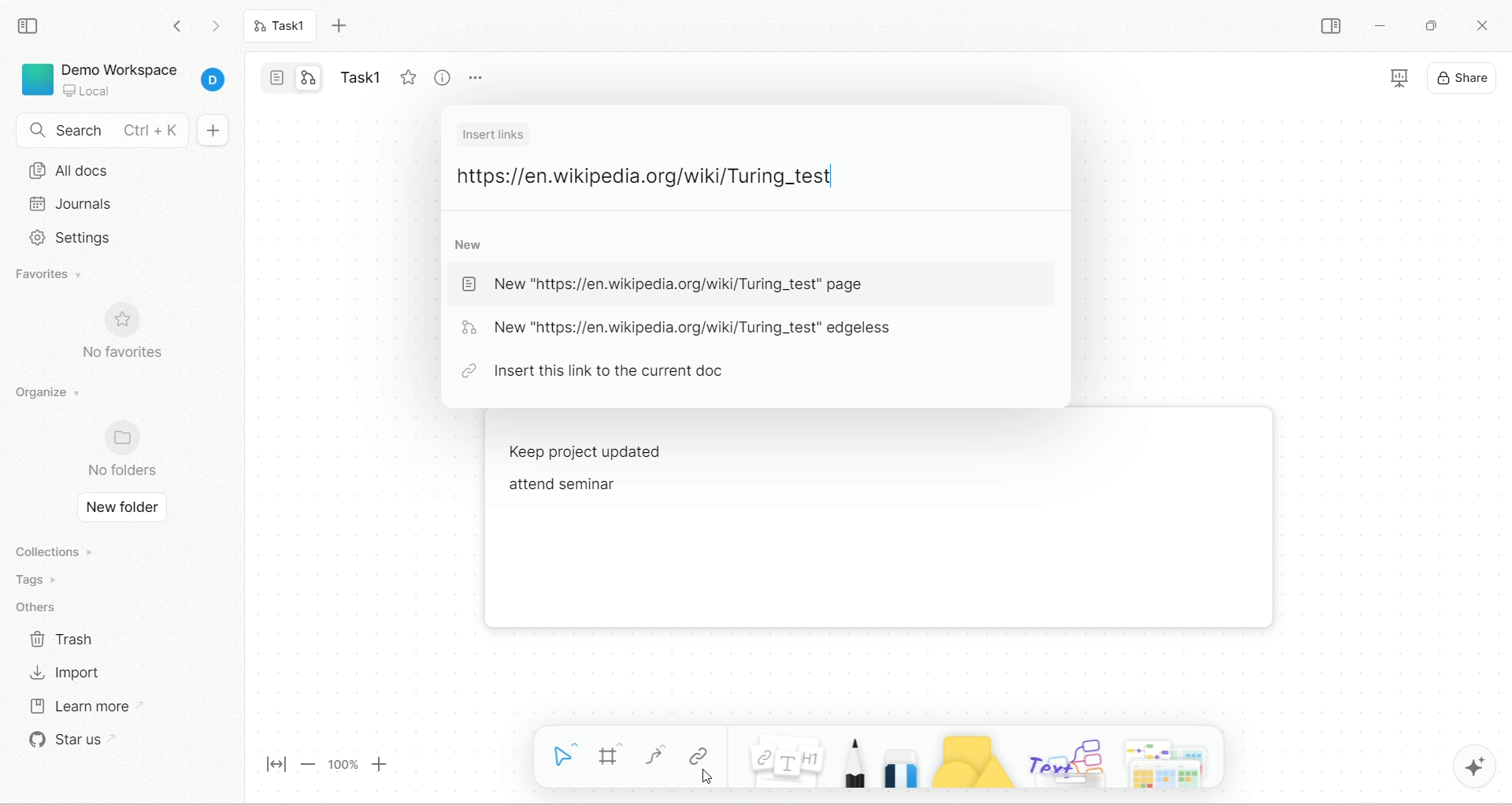 This screenshot has width=1512, height=805. Describe the element at coordinates (64, 637) in the screenshot. I see `trash` at that location.